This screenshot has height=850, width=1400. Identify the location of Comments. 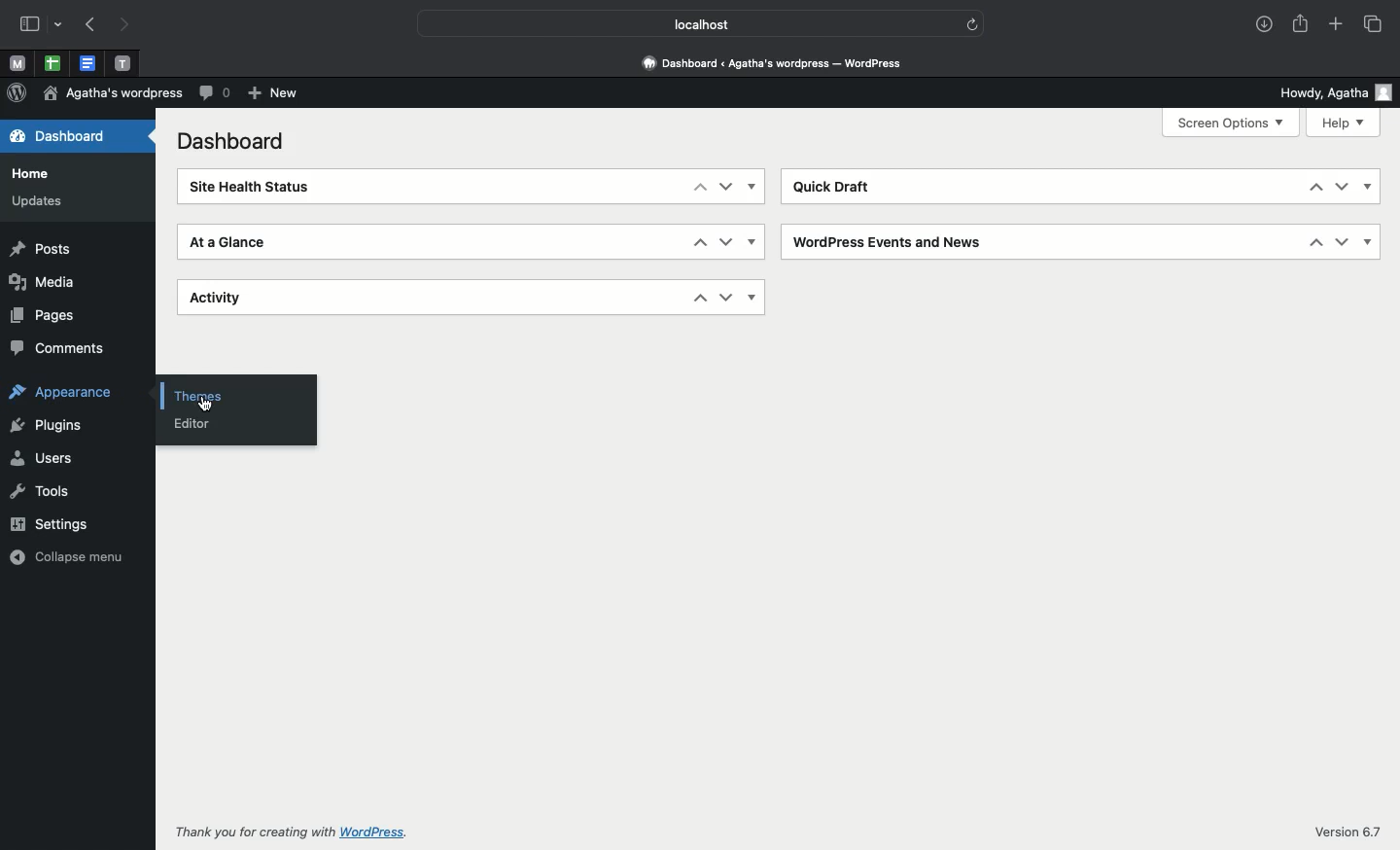
(215, 92).